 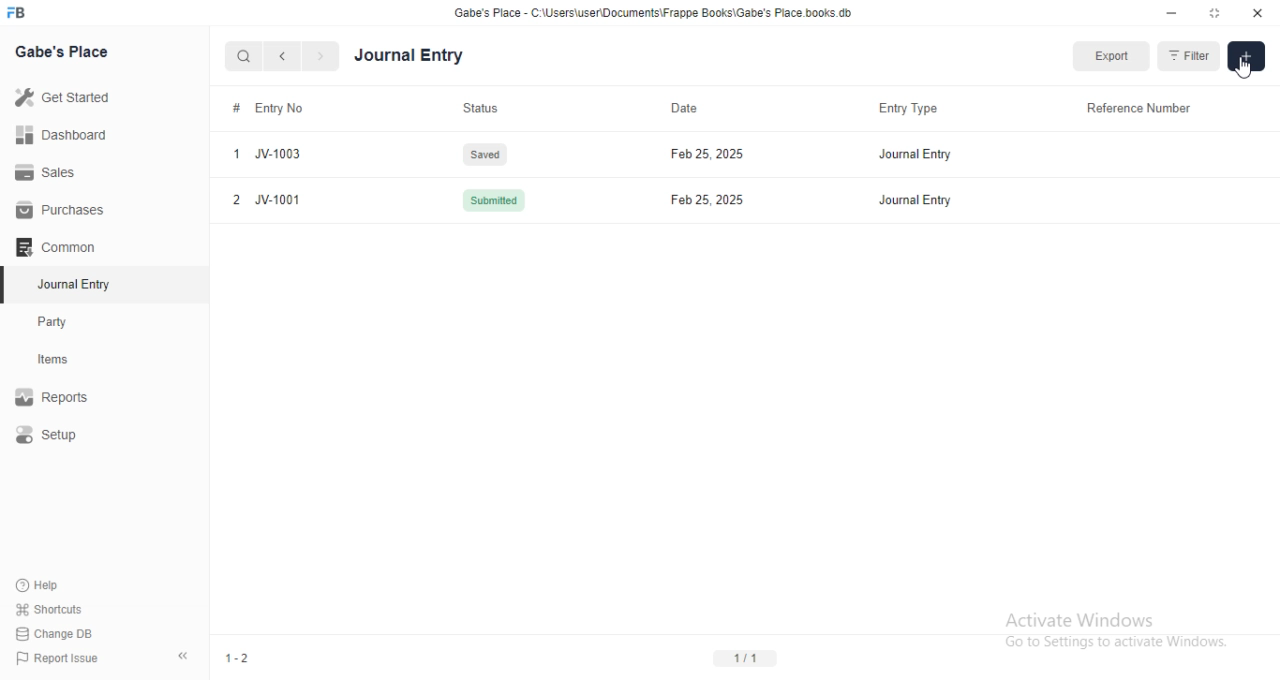 What do you see at coordinates (714, 200) in the screenshot?
I see `Feb 25, 2025` at bounding box center [714, 200].